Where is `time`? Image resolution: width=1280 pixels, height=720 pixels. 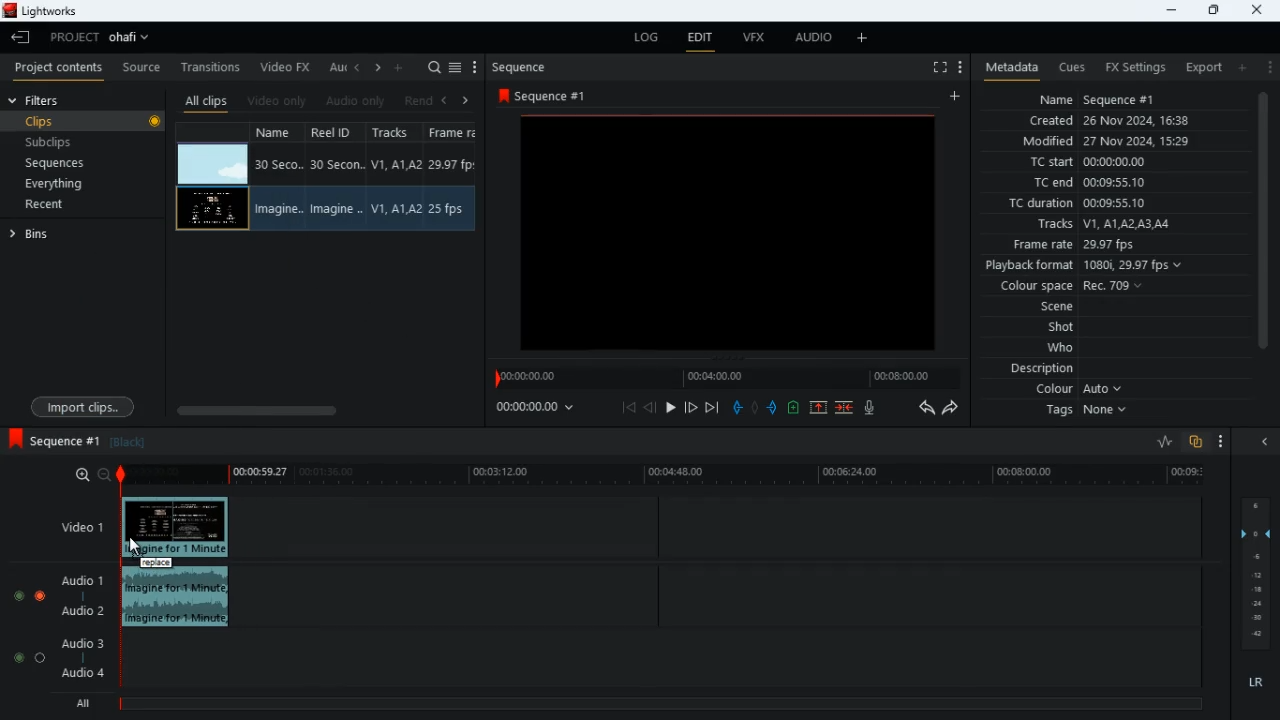 time is located at coordinates (544, 406).